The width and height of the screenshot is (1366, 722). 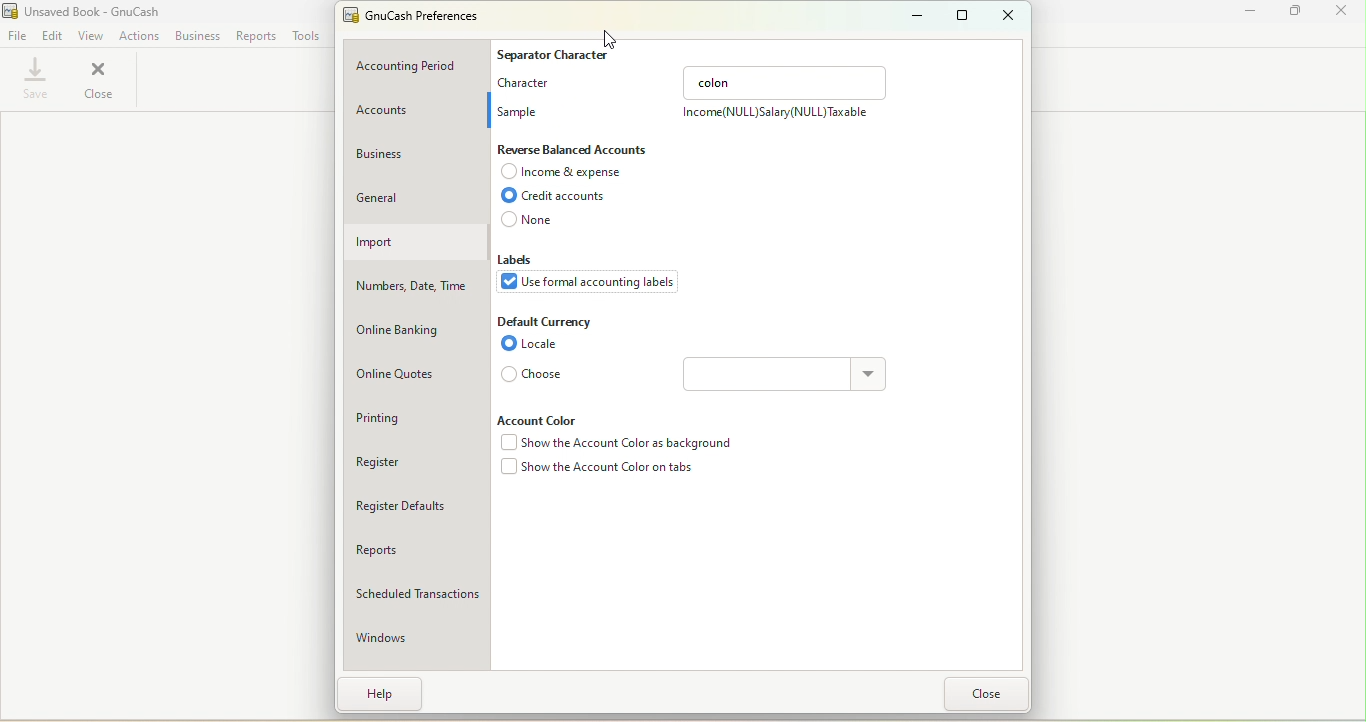 What do you see at coordinates (414, 242) in the screenshot?
I see `Import` at bounding box center [414, 242].